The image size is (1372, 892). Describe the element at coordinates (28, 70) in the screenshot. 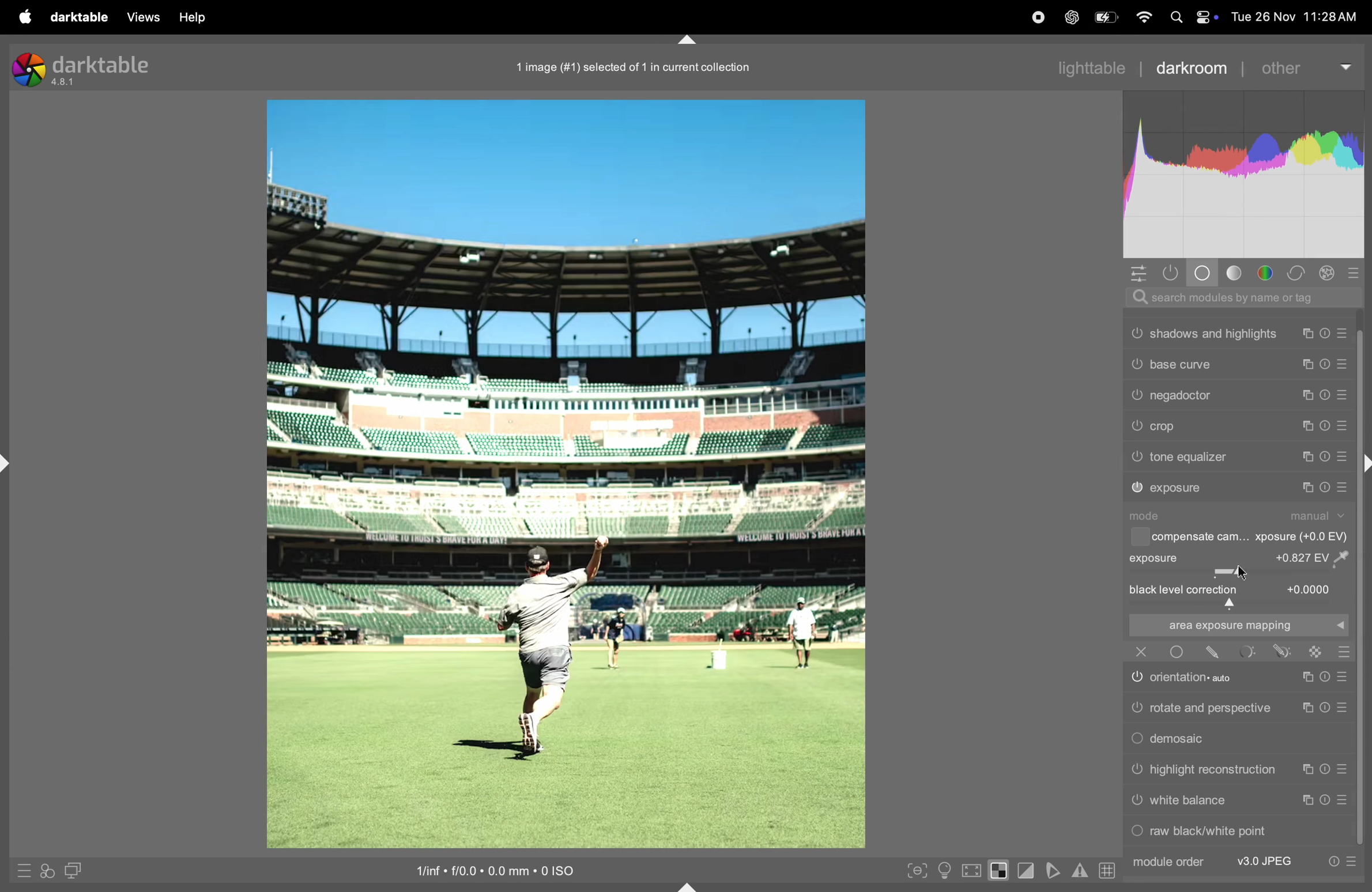

I see `logo` at that location.